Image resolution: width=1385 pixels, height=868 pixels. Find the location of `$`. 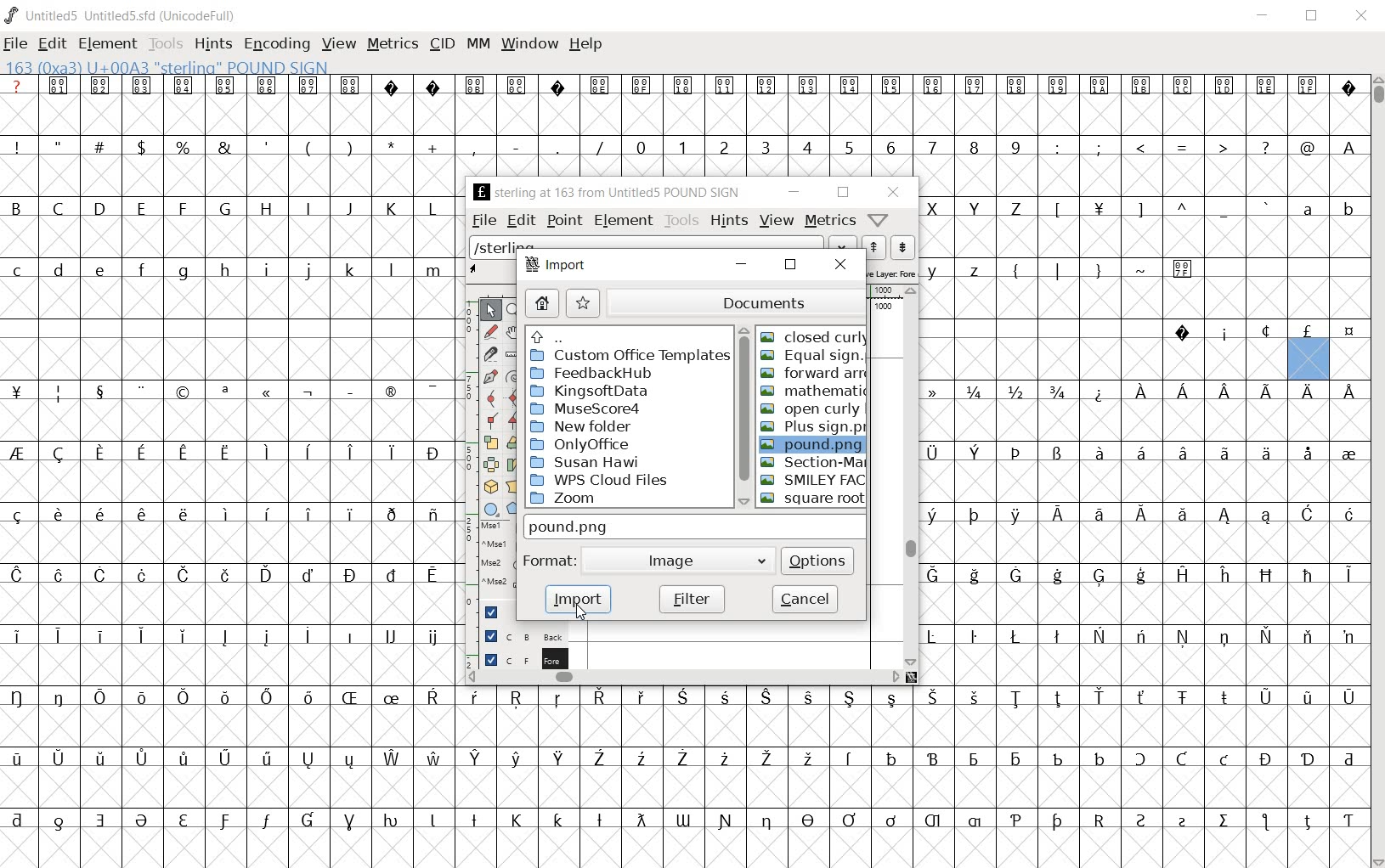

$ is located at coordinates (144, 147).